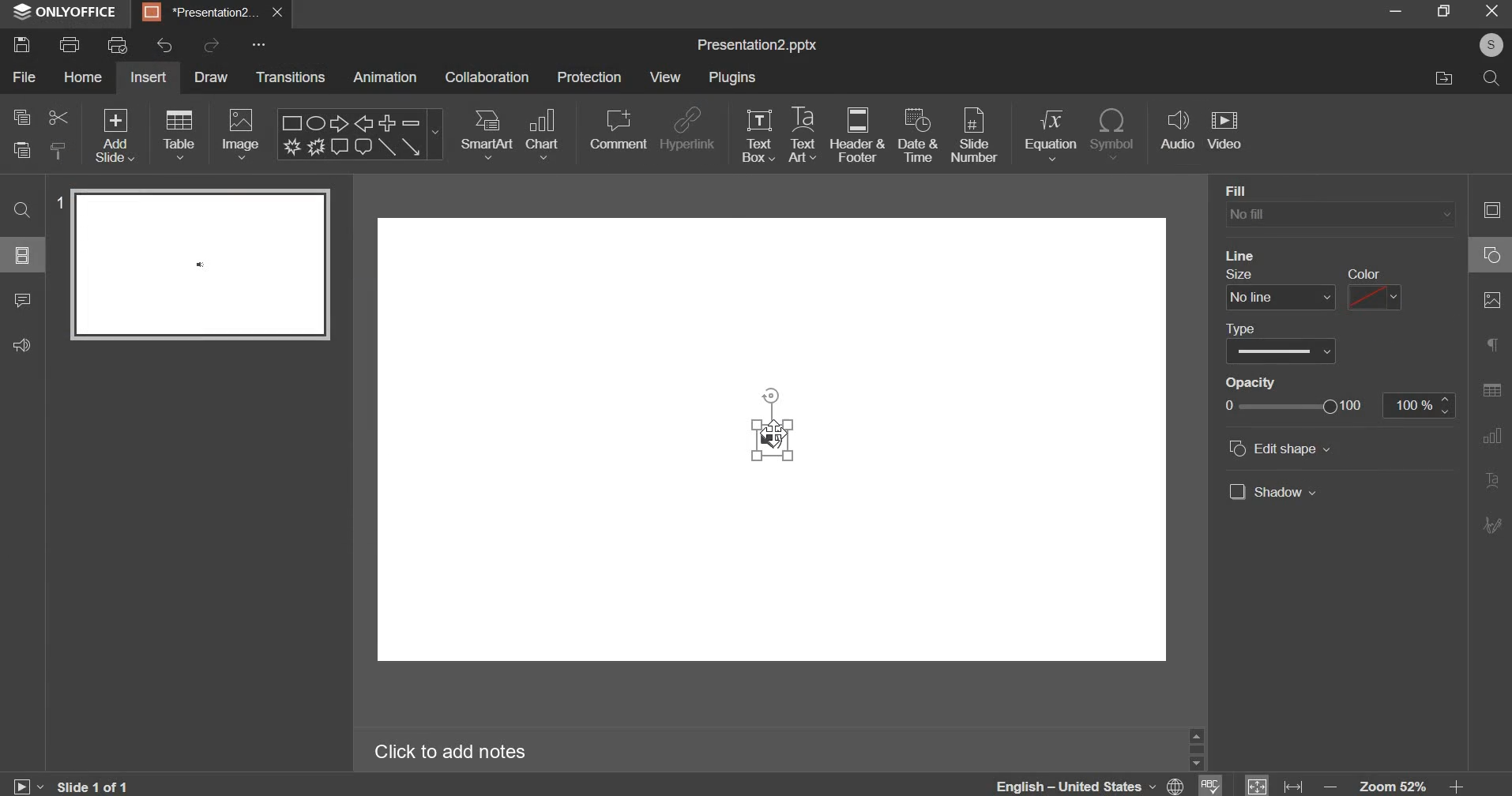  Describe the element at coordinates (148, 77) in the screenshot. I see `insert` at that location.